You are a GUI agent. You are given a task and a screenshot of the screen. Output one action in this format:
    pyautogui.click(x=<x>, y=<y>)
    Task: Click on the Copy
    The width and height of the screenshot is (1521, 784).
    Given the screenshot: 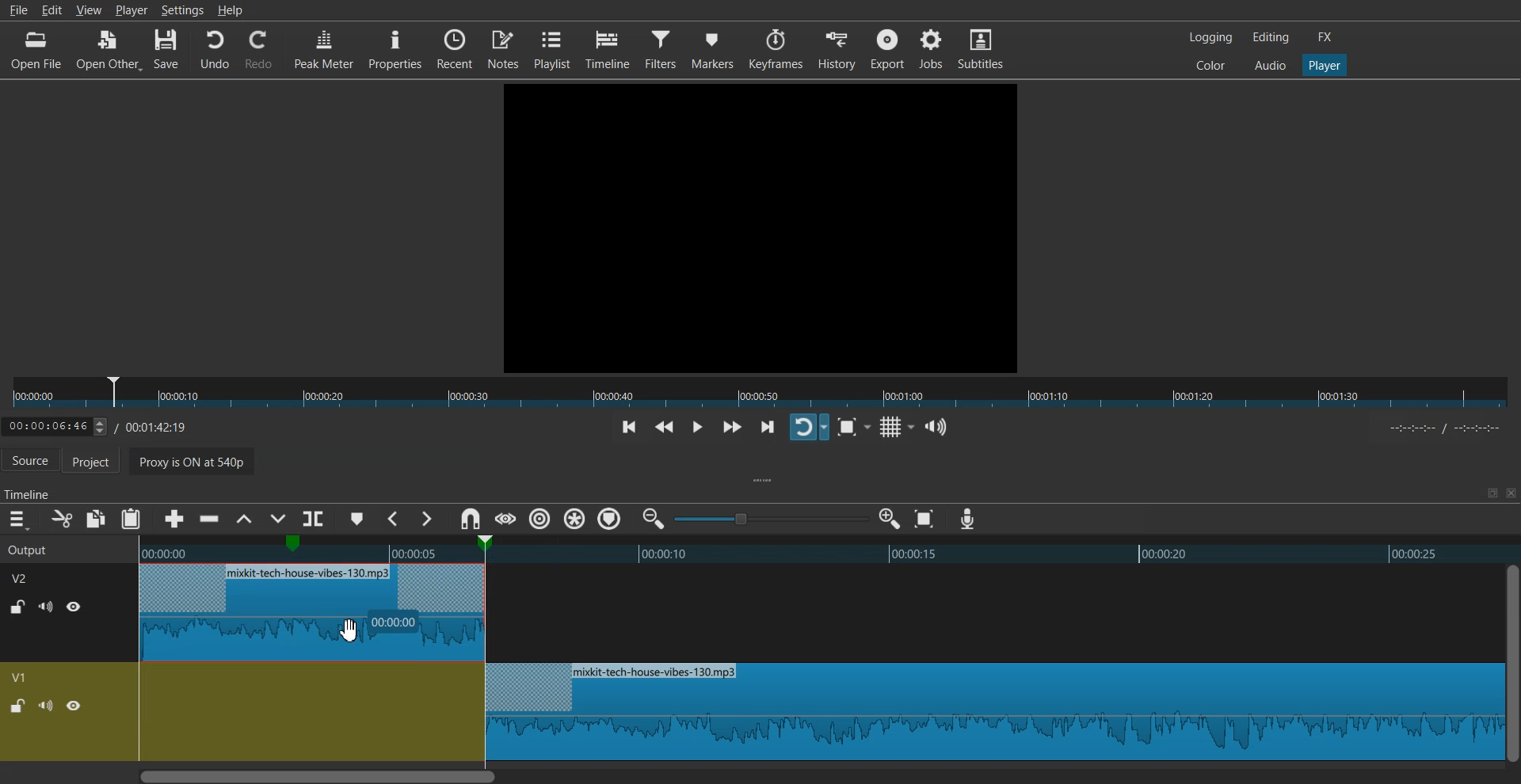 What is the action you would take?
    pyautogui.click(x=97, y=519)
    